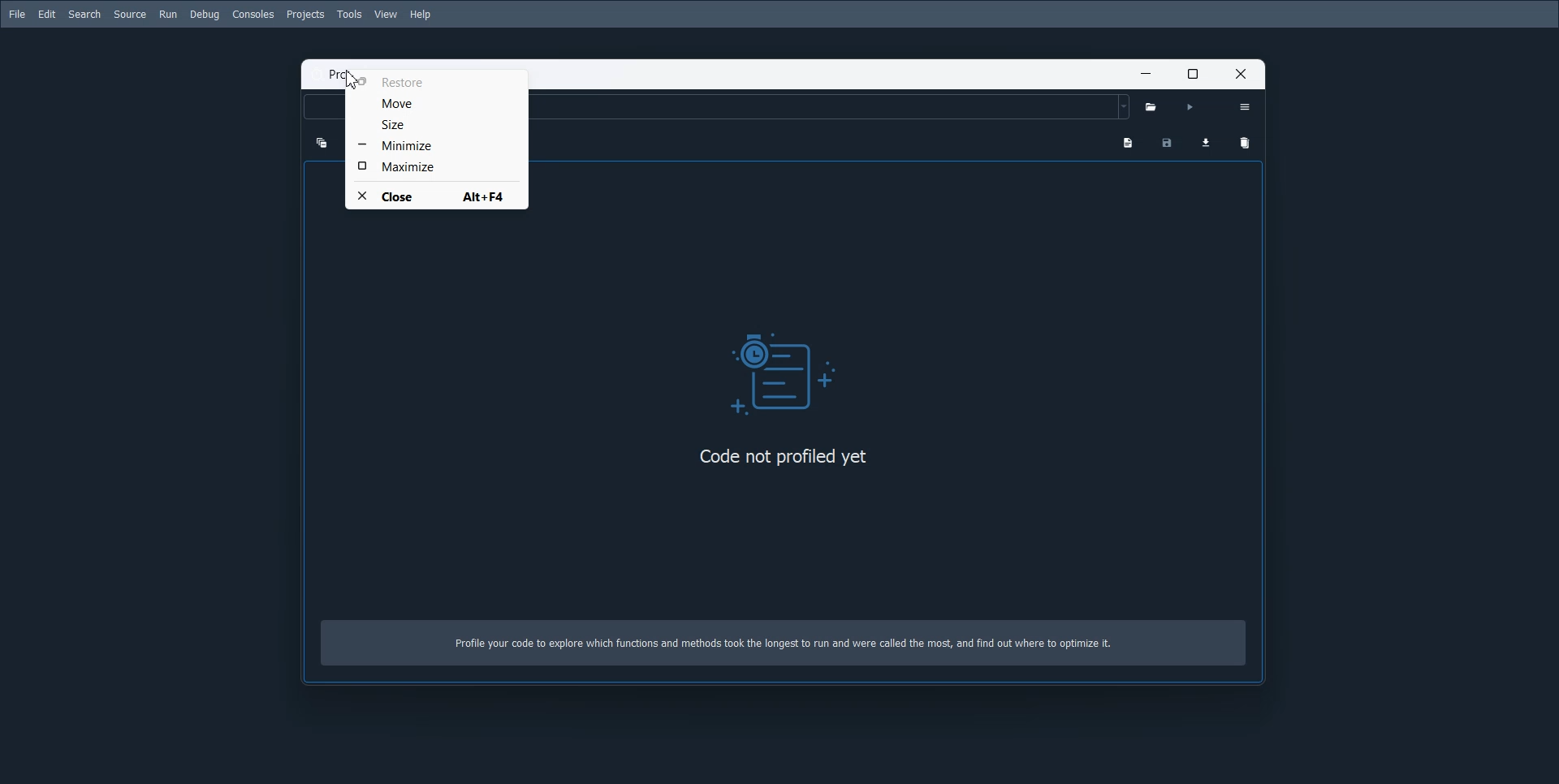  I want to click on Source, so click(130, 14).